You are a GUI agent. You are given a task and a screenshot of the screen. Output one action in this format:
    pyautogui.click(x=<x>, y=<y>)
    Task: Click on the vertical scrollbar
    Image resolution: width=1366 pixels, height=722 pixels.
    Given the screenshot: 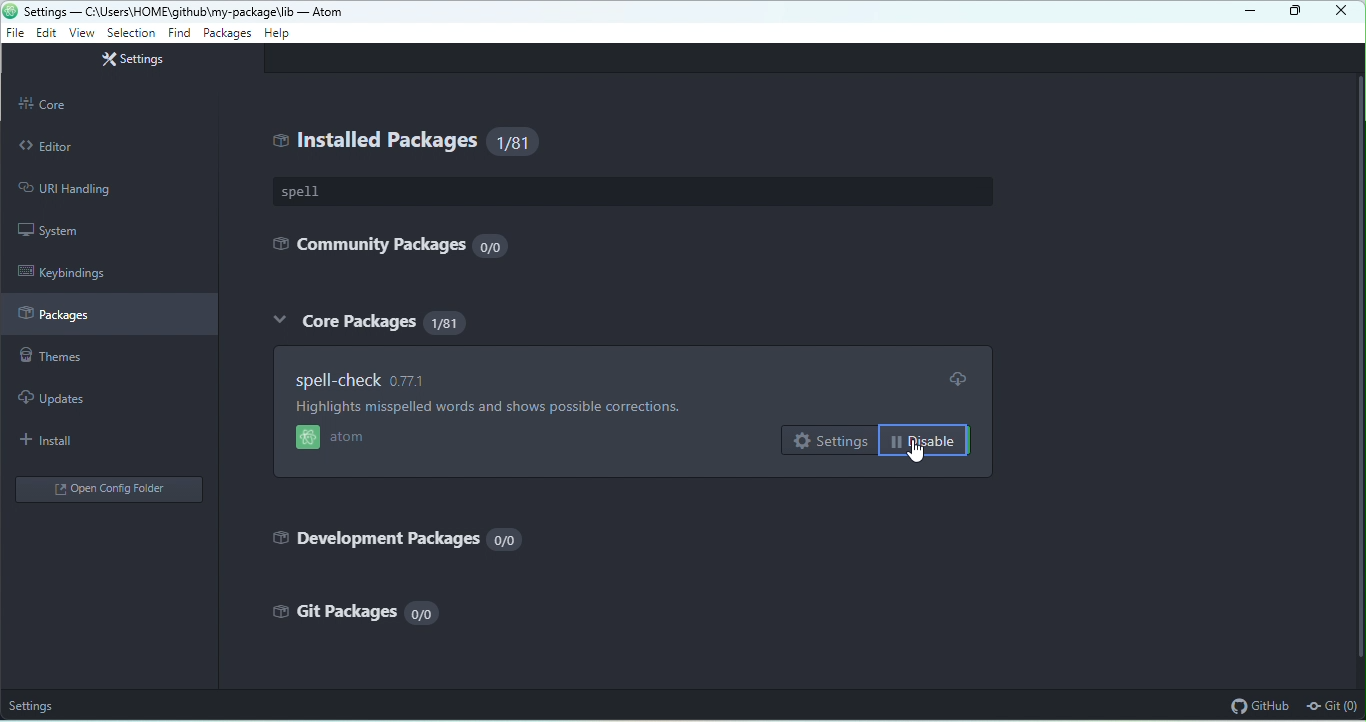 What is the action you would take?
    pyautogui.click(x=1357, y=366)
    